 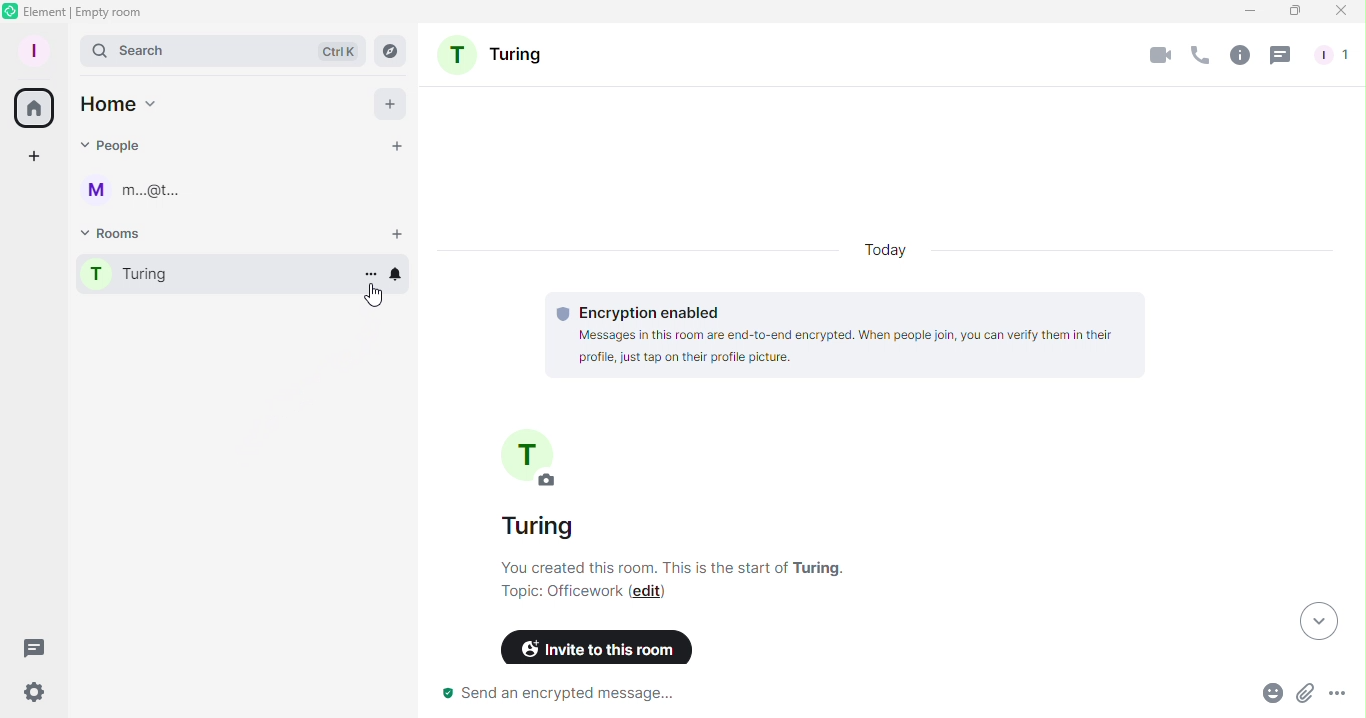 What do you see at coordinates (654, 592) in the screenshot?
I see `Edit` at bounding box center [654, 592].